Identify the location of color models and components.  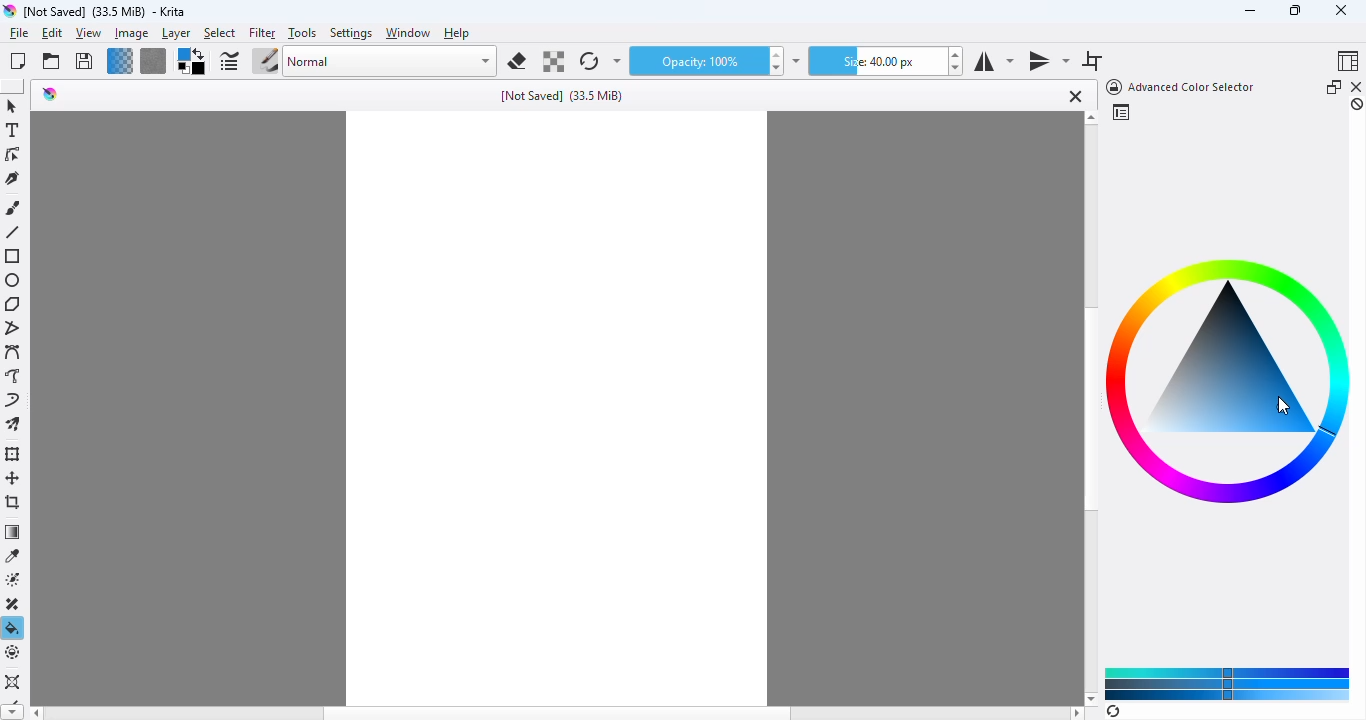
(1228, 683).